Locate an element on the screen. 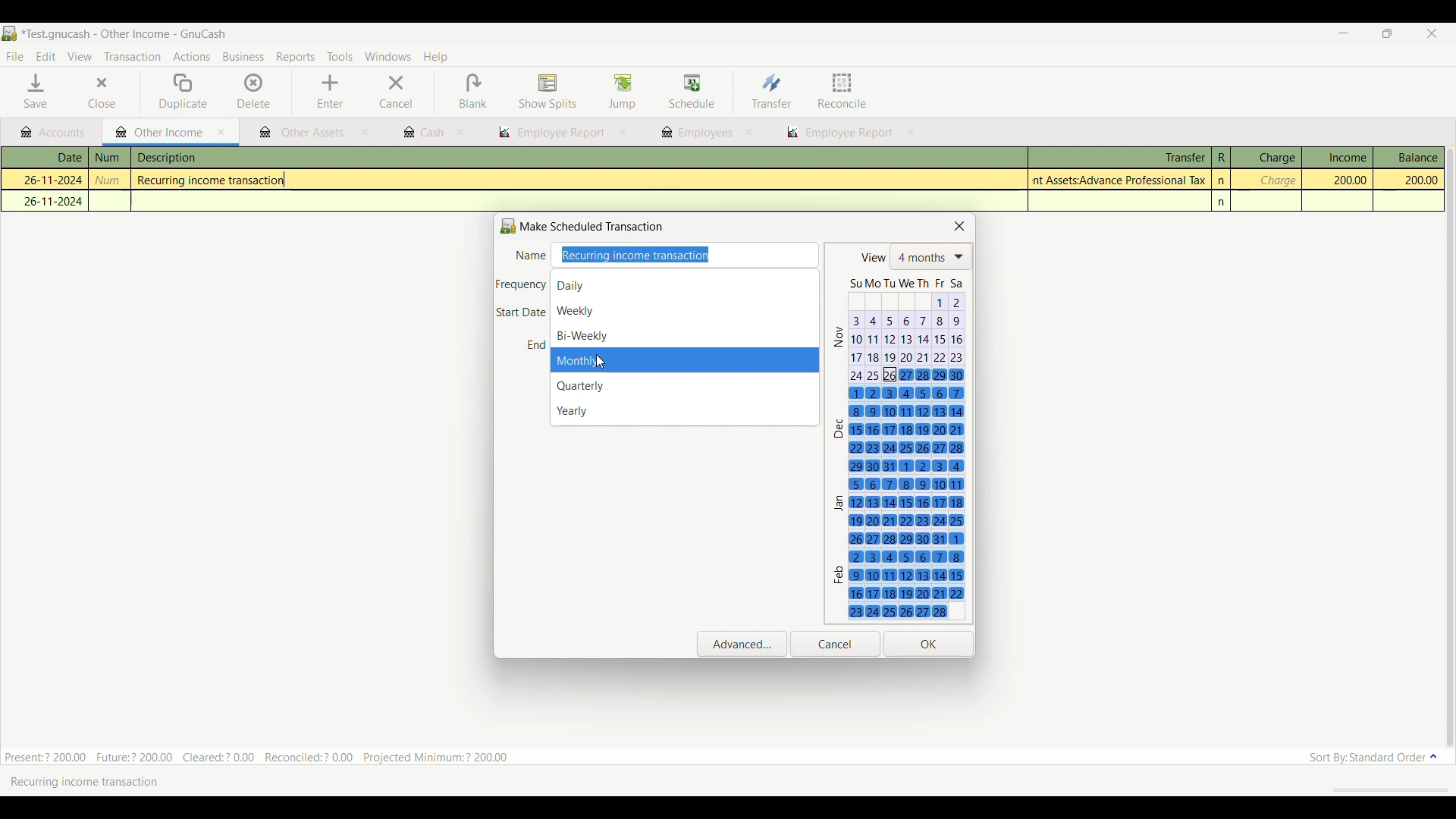  employee report is located at coordinates (551, 133).